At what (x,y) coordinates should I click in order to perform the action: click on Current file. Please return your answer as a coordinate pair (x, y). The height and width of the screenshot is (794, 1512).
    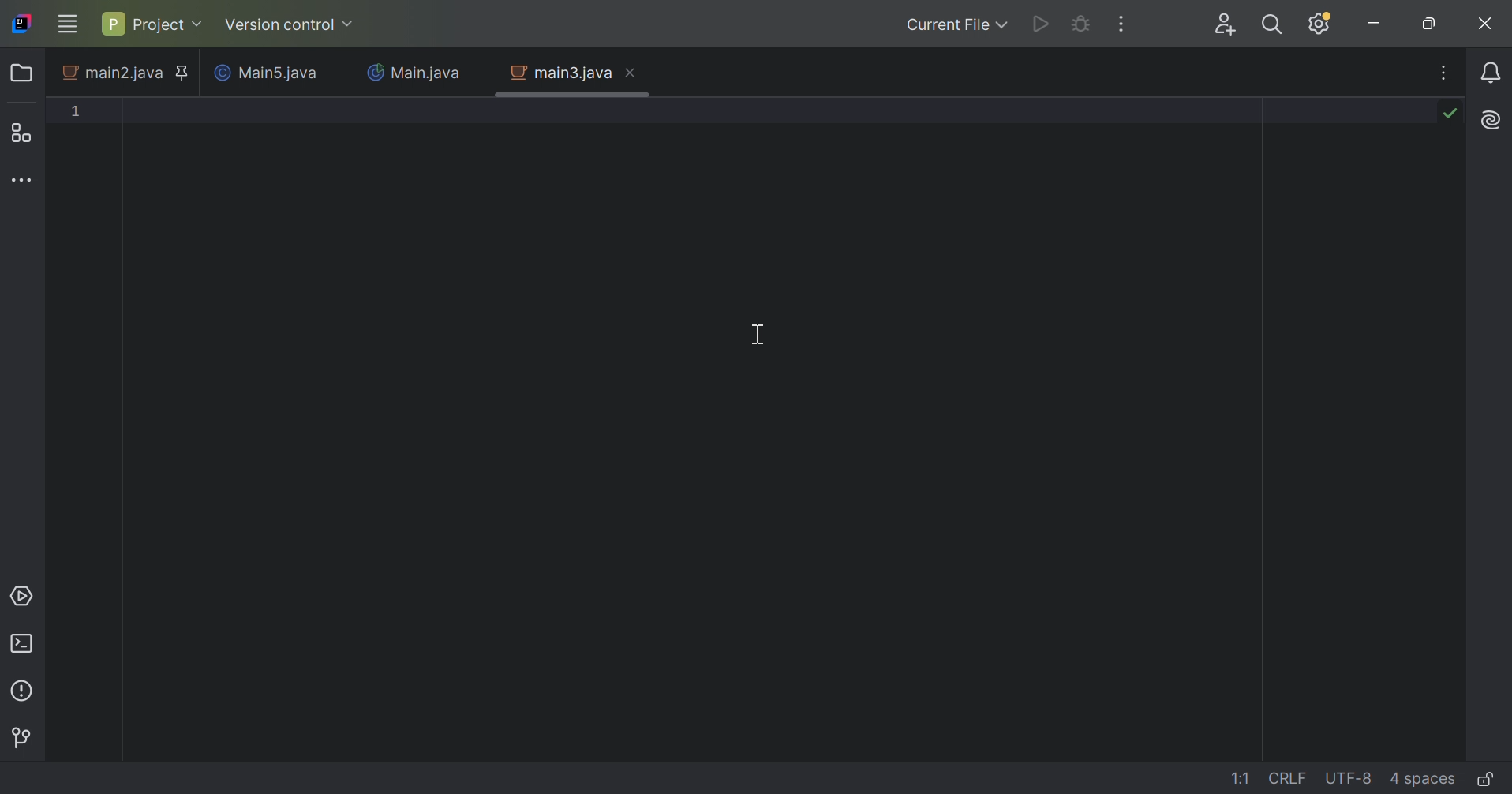
    Looking at the image, I should click on (957, 24).